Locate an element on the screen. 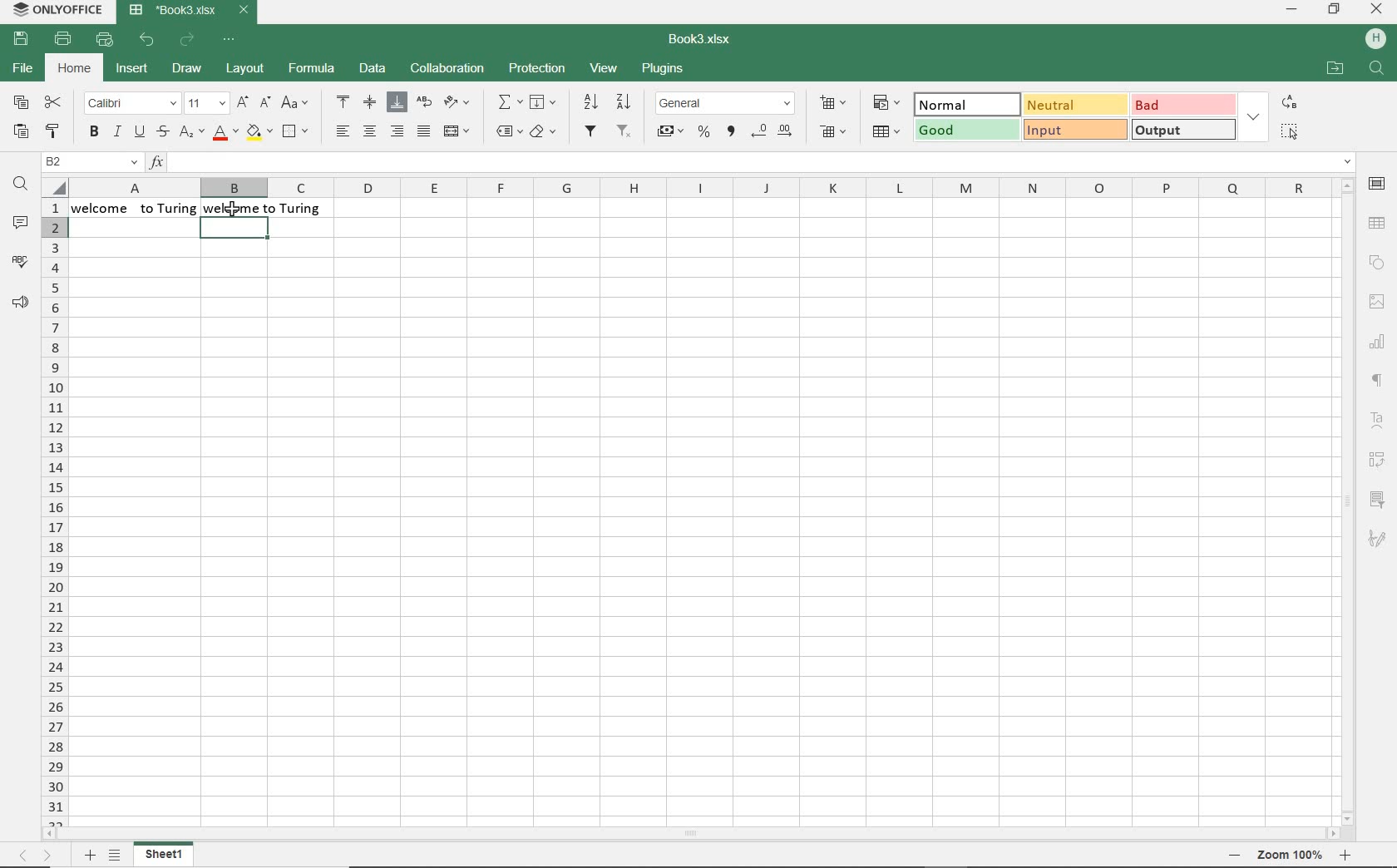 This screenshot has width=1397, height=868. align left is located at coordinates (343, 131).